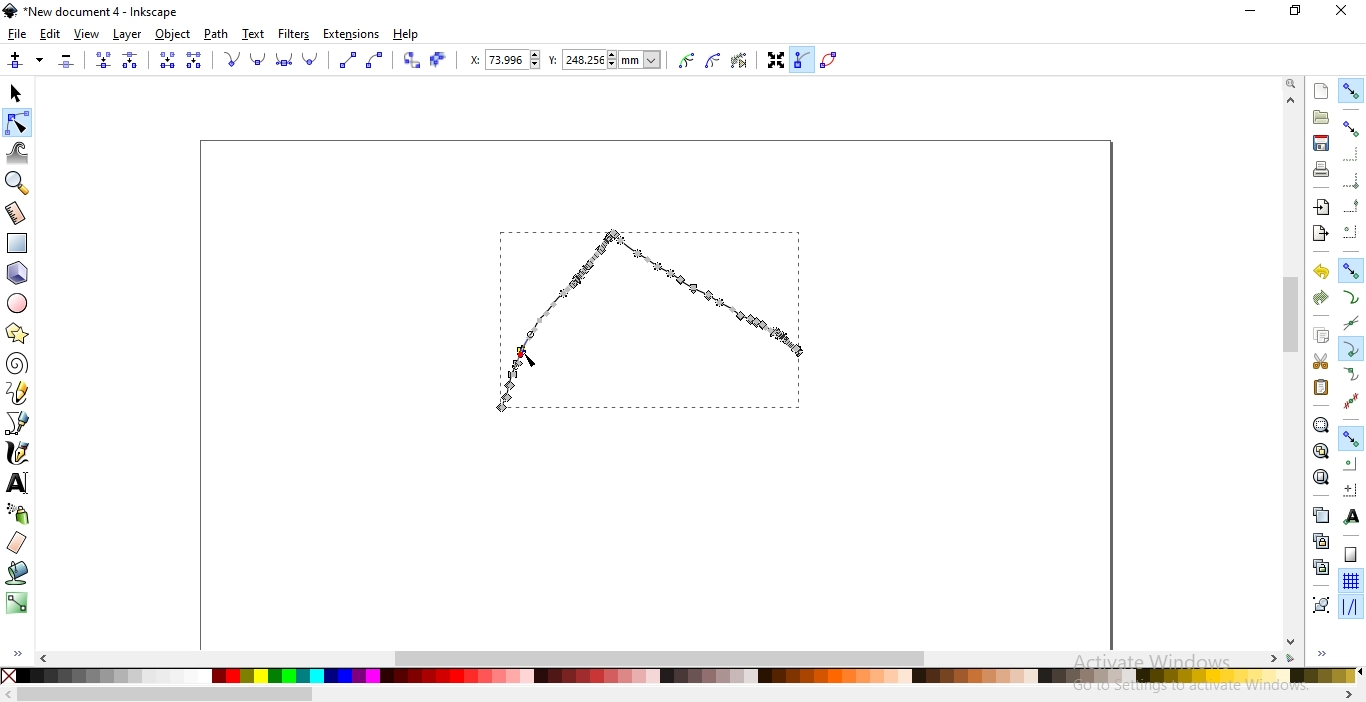 This screenshot has width=1366, height=702. I want to click on show masks of selected objects, so click(715, 61).